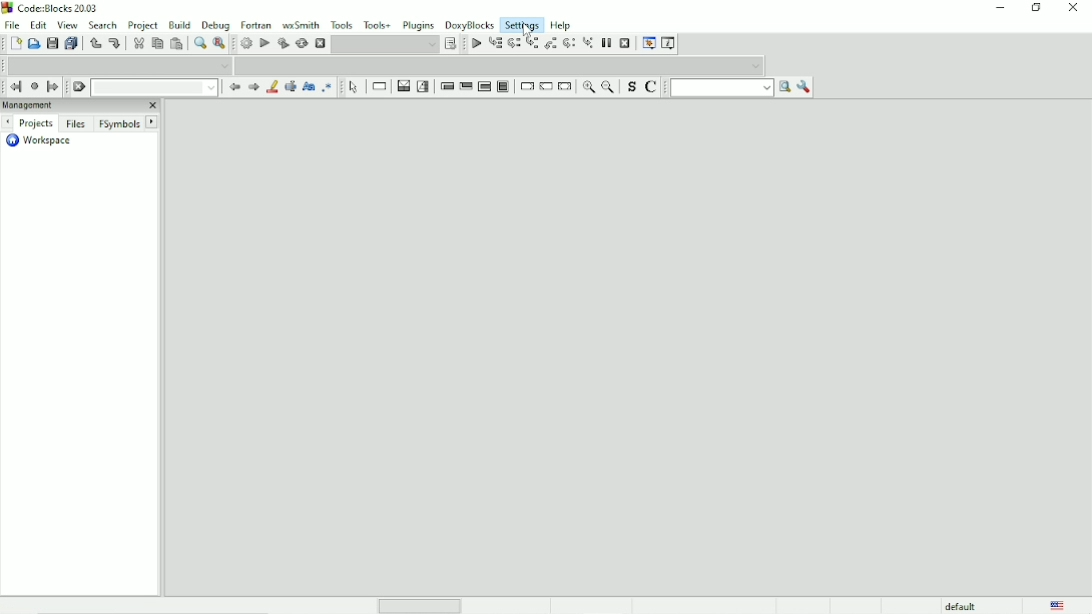 The width and height of the screenshot is (1092, 614). I want to click on Next instruction, so click(569, 44).